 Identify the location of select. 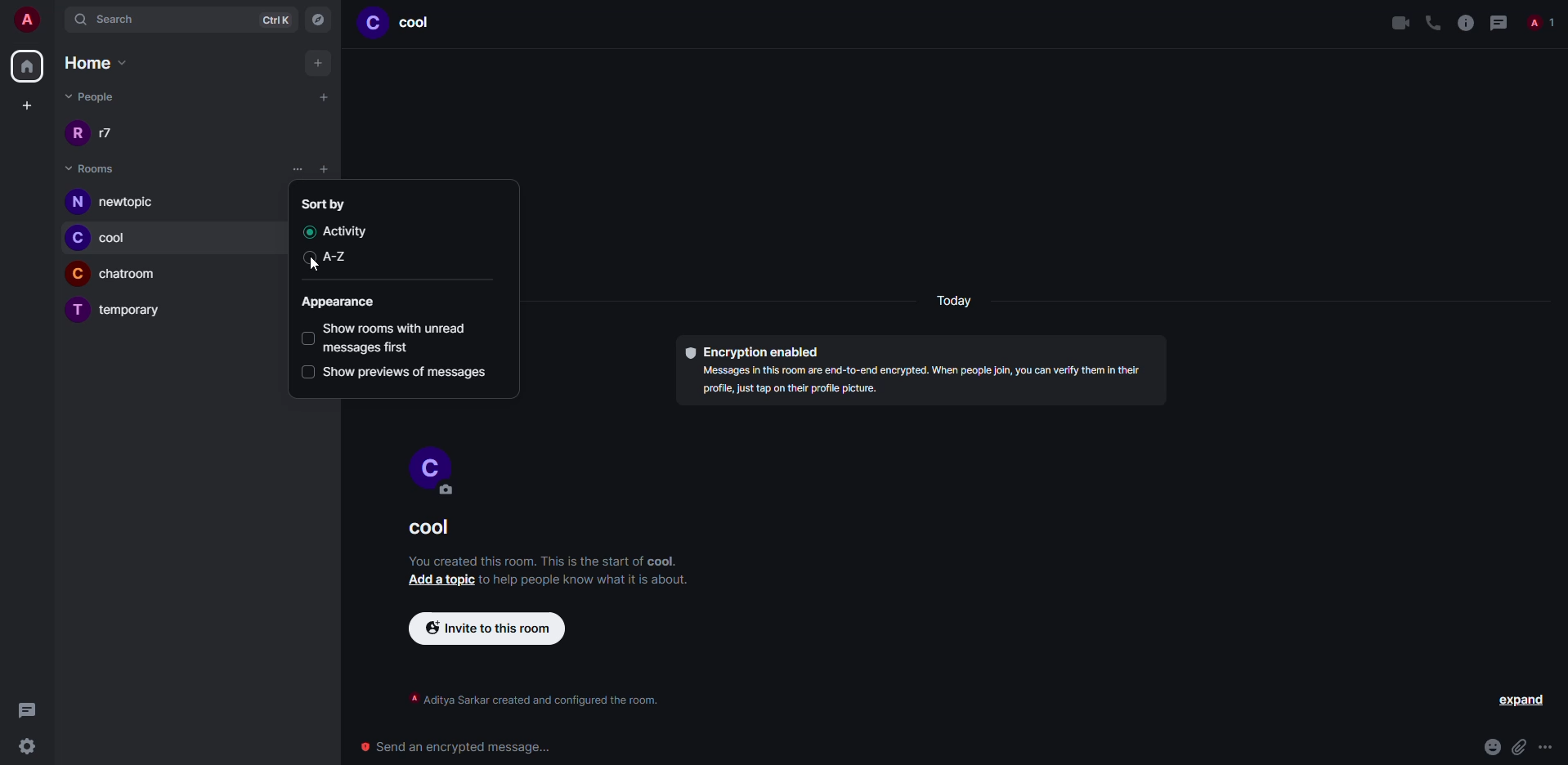
(305, 372).